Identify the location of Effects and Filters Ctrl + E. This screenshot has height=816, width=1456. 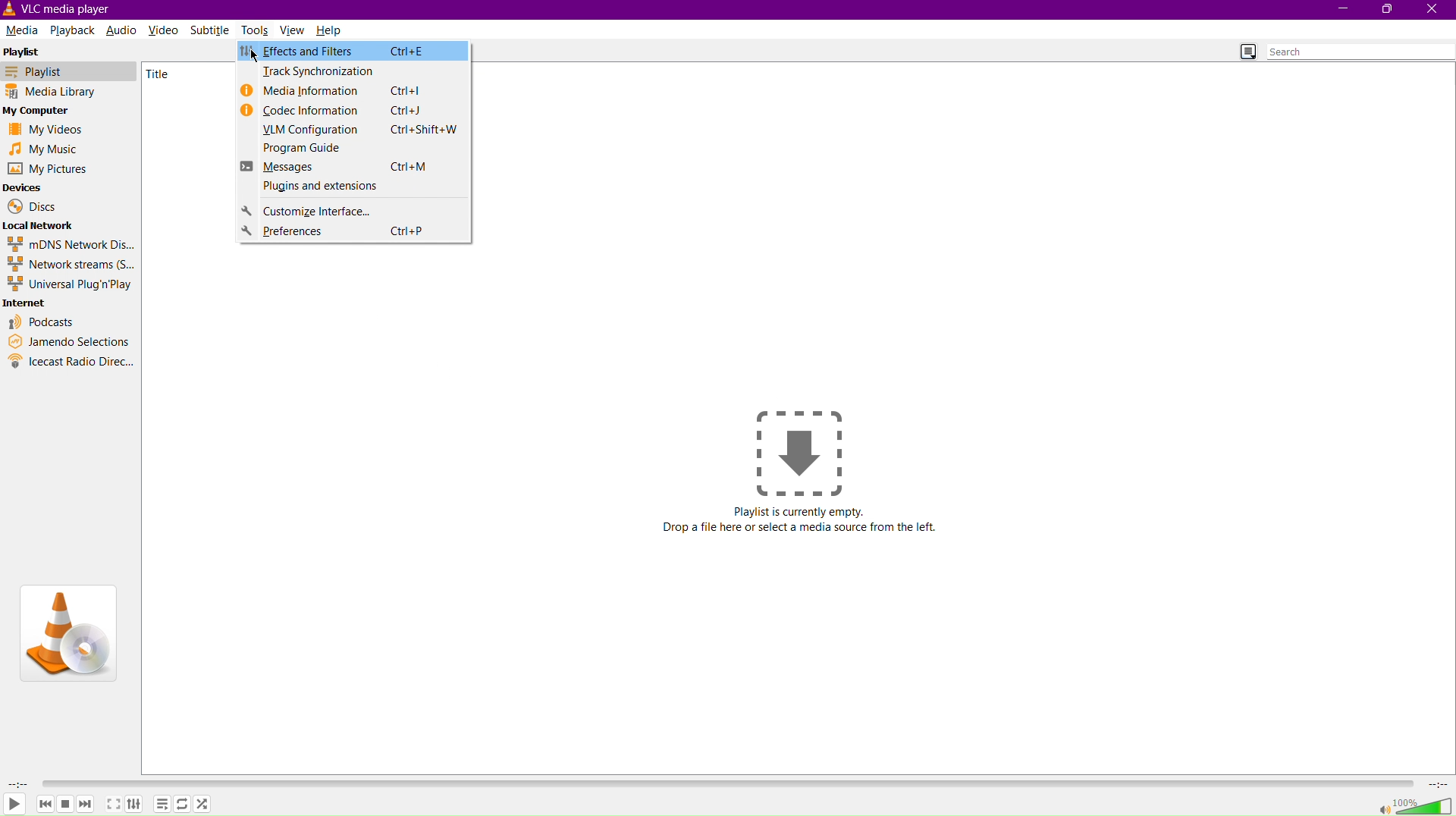
(356, 52).